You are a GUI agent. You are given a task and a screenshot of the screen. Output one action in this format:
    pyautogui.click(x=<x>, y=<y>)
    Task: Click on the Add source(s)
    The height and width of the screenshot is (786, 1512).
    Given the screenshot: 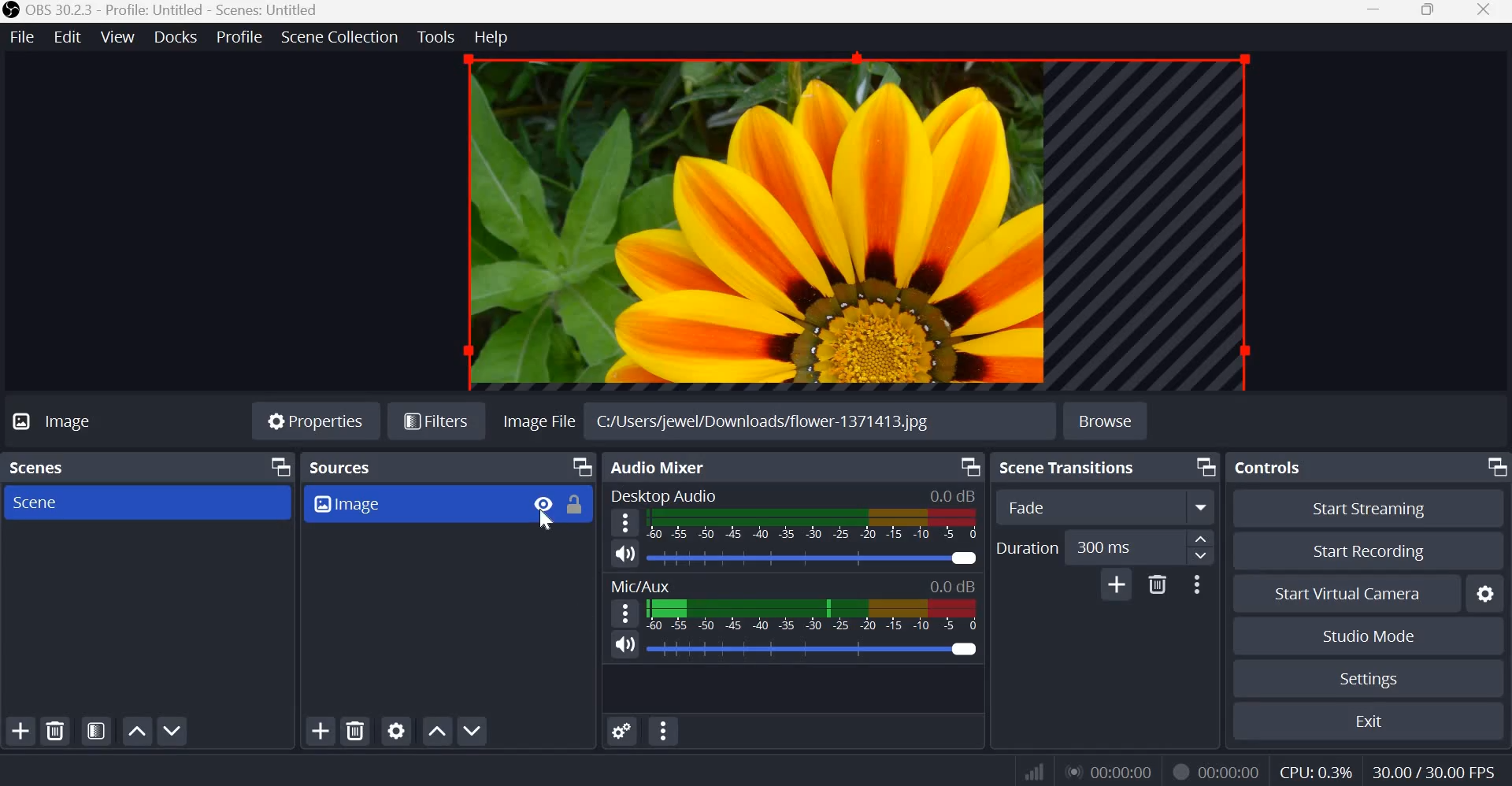 What is the action you would take?
    pyautogui.click(x=321, y=732)
    